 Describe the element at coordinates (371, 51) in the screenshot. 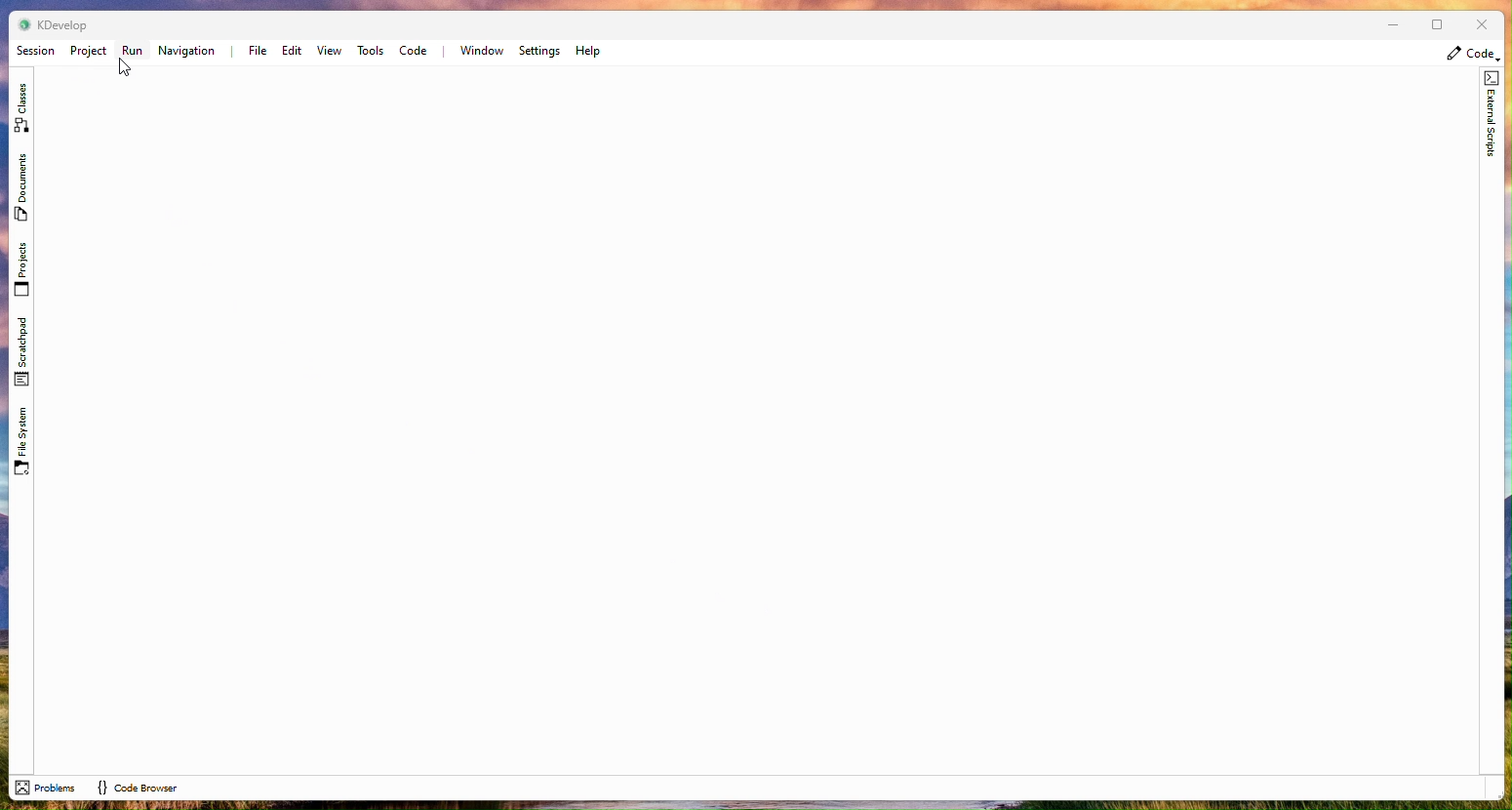

I see `Tools` at that location.